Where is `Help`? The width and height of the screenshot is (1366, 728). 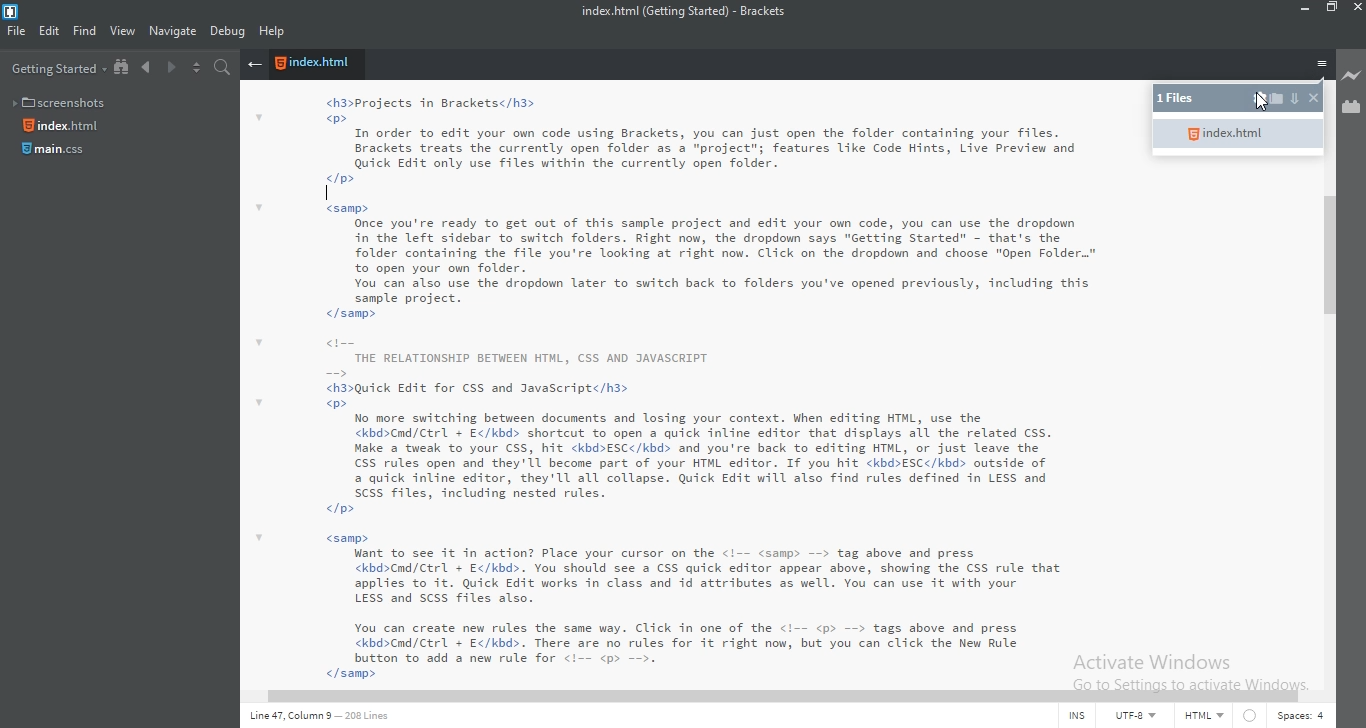
Help is located at coordinates (274, 33).